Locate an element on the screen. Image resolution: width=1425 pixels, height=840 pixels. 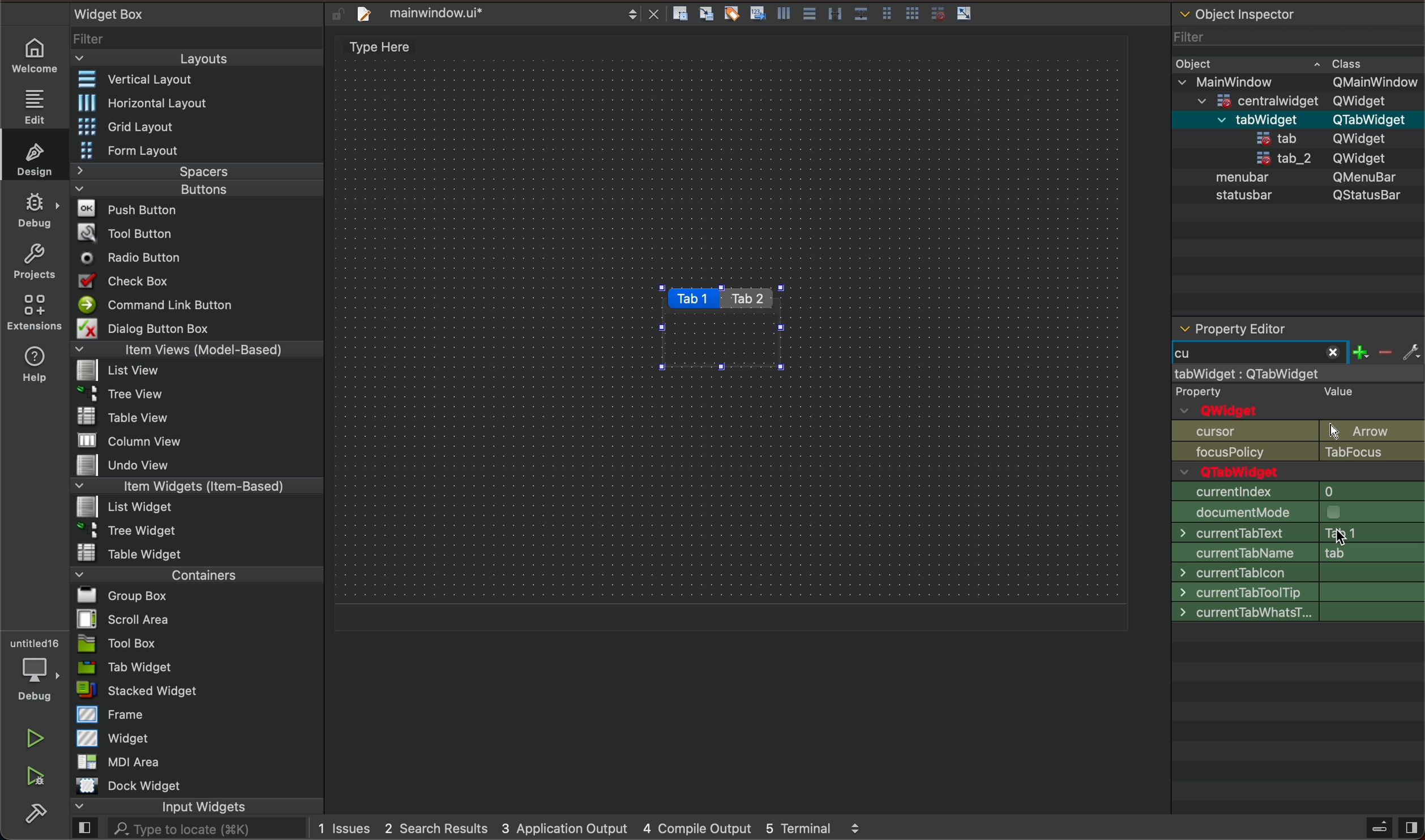
size policy is located at coordinates (1299, 511).